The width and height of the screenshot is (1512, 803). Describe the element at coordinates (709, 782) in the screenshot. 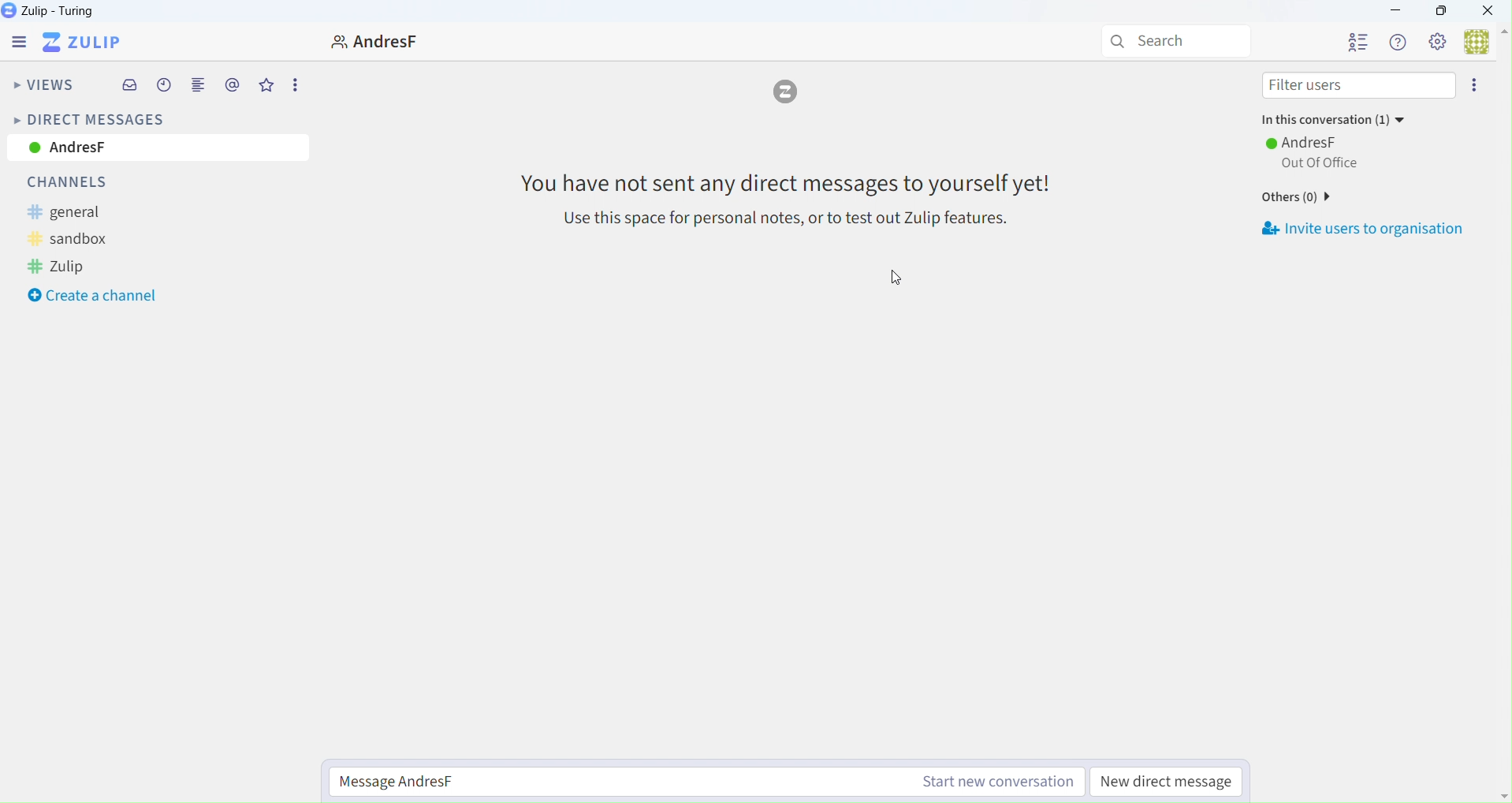

I see `Message AndresF` at that location.